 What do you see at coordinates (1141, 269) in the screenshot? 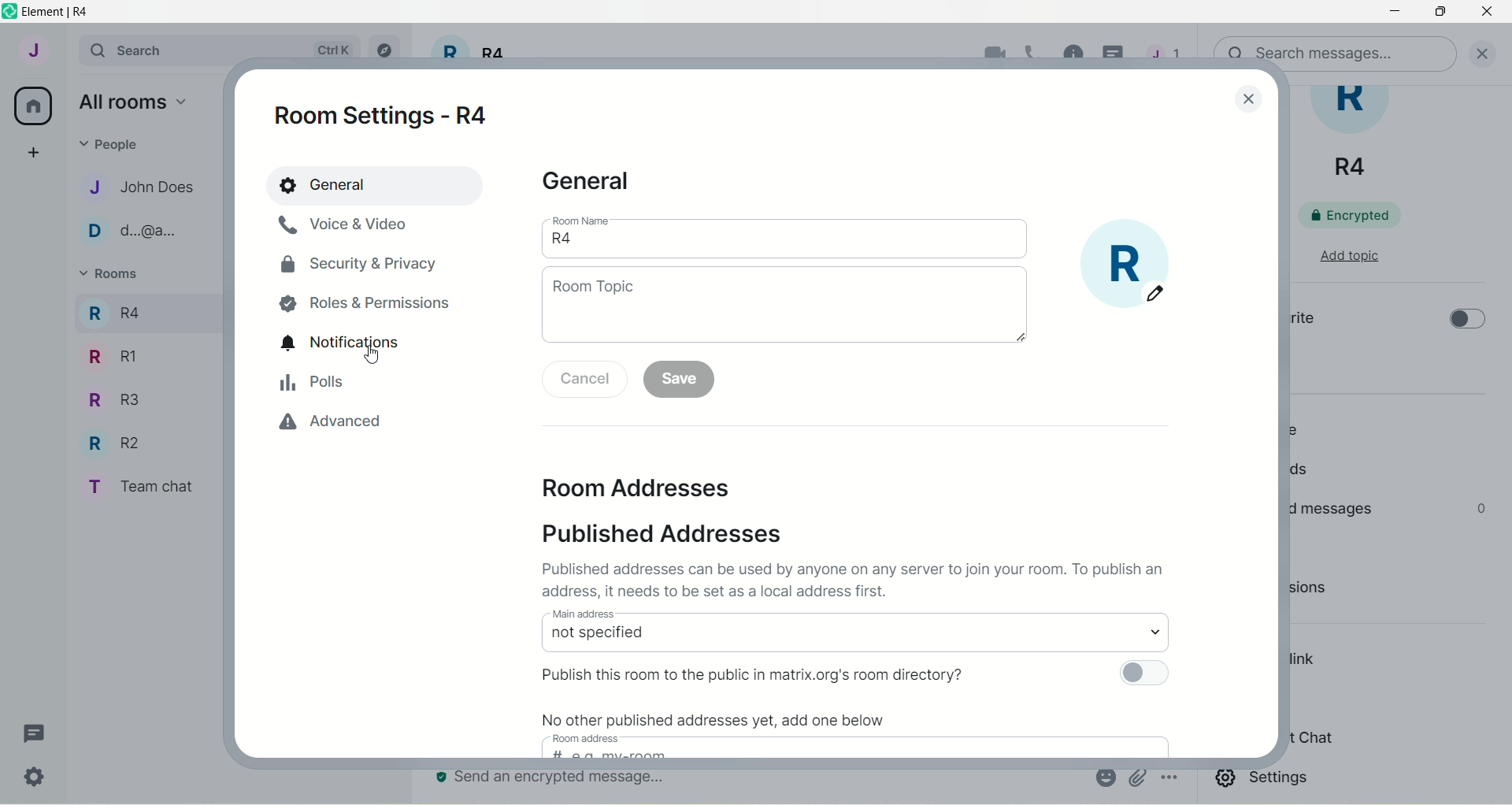
I see `room title` at bounding box center [1141, 269].